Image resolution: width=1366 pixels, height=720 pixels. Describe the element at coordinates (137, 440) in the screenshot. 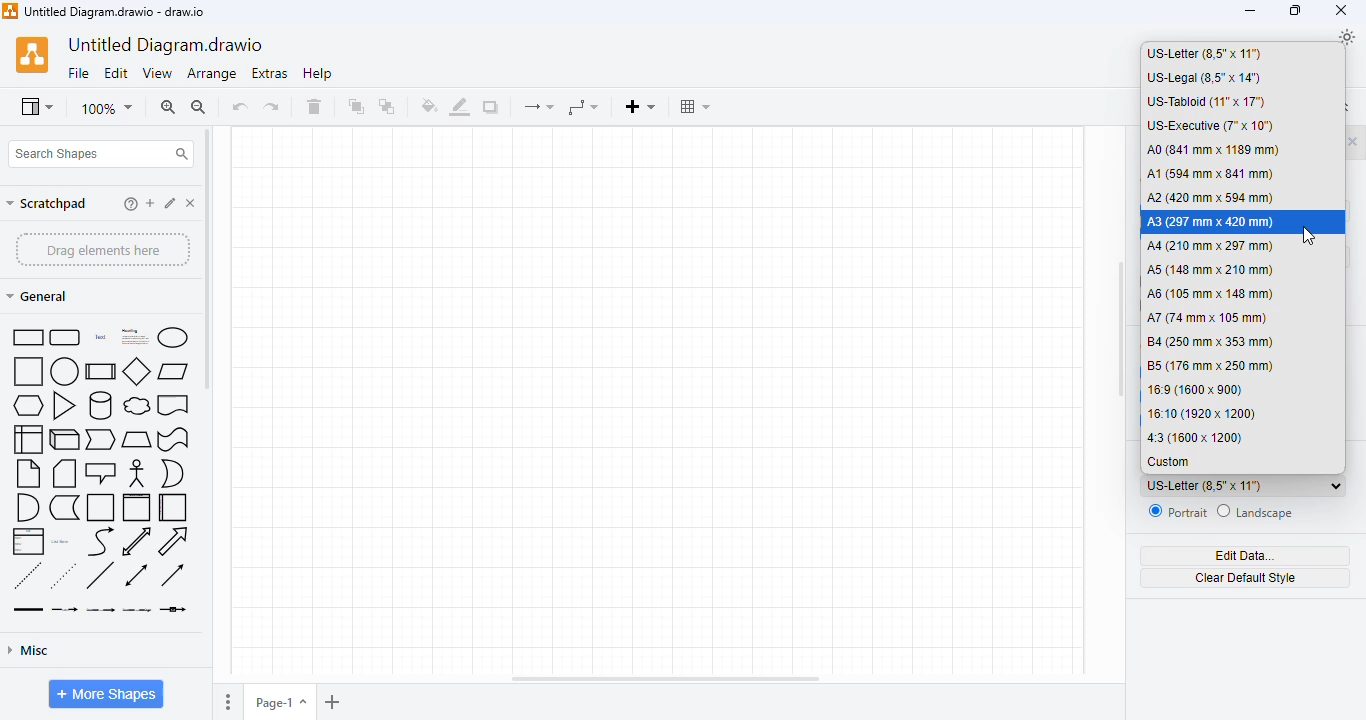

I see `trapezoid` at that location.